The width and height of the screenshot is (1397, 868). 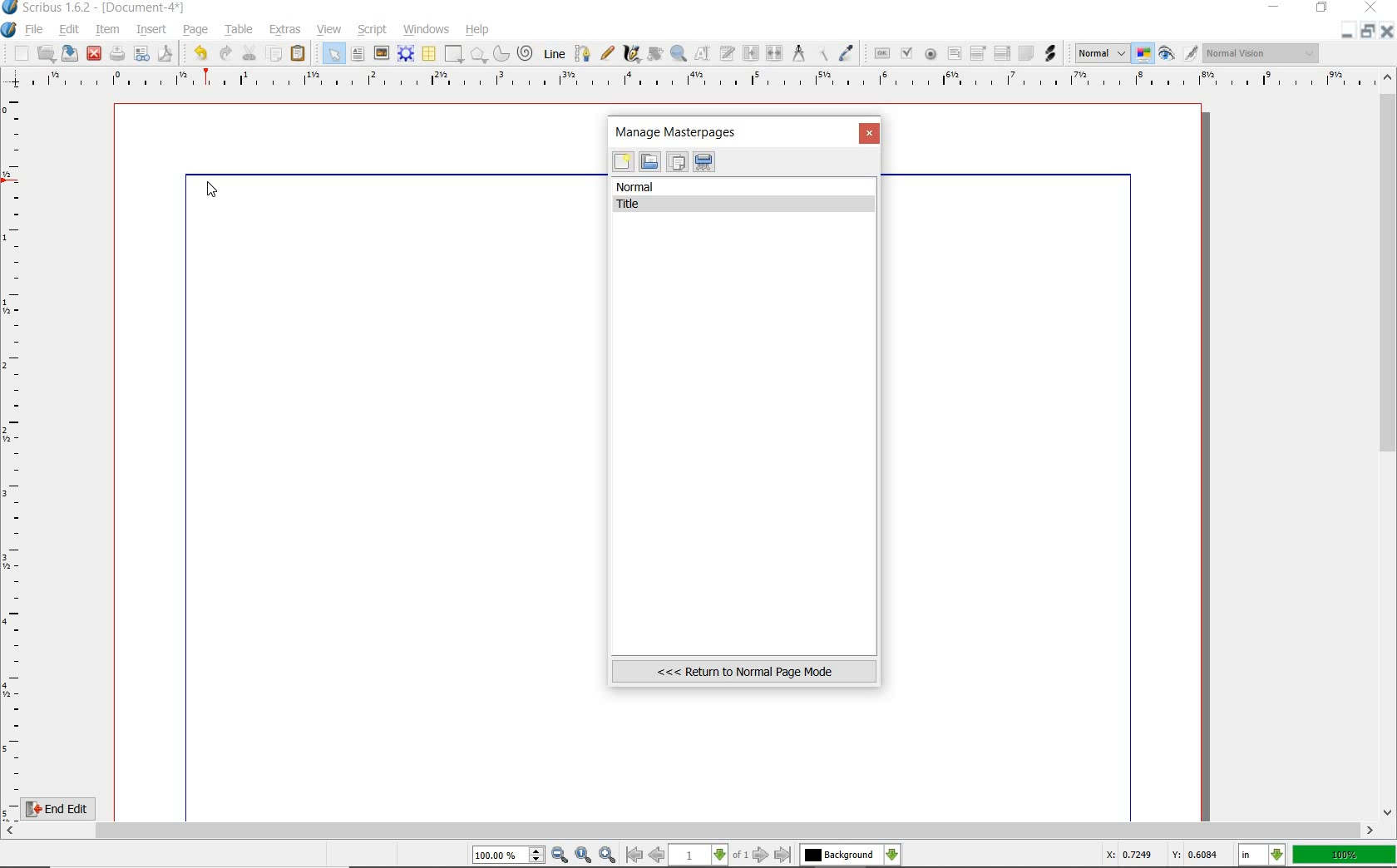 What do you see at coordinates (15, 454) in the screenshot?
I see `ruler` at bounding box center [15, 454].